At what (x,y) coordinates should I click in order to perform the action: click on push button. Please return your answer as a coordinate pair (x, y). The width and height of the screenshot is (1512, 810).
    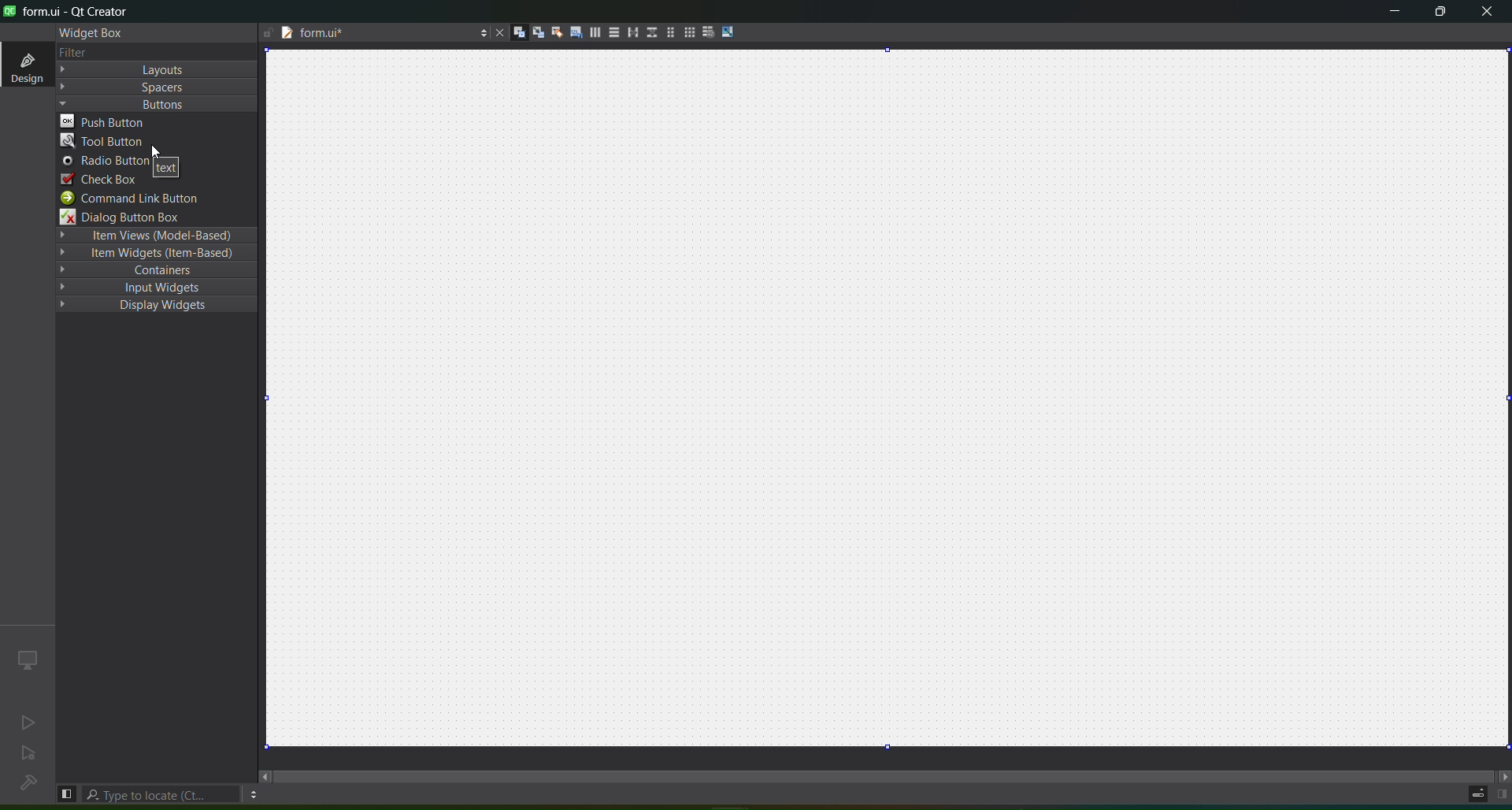
    Looking at the image, I should click on (158, 121).